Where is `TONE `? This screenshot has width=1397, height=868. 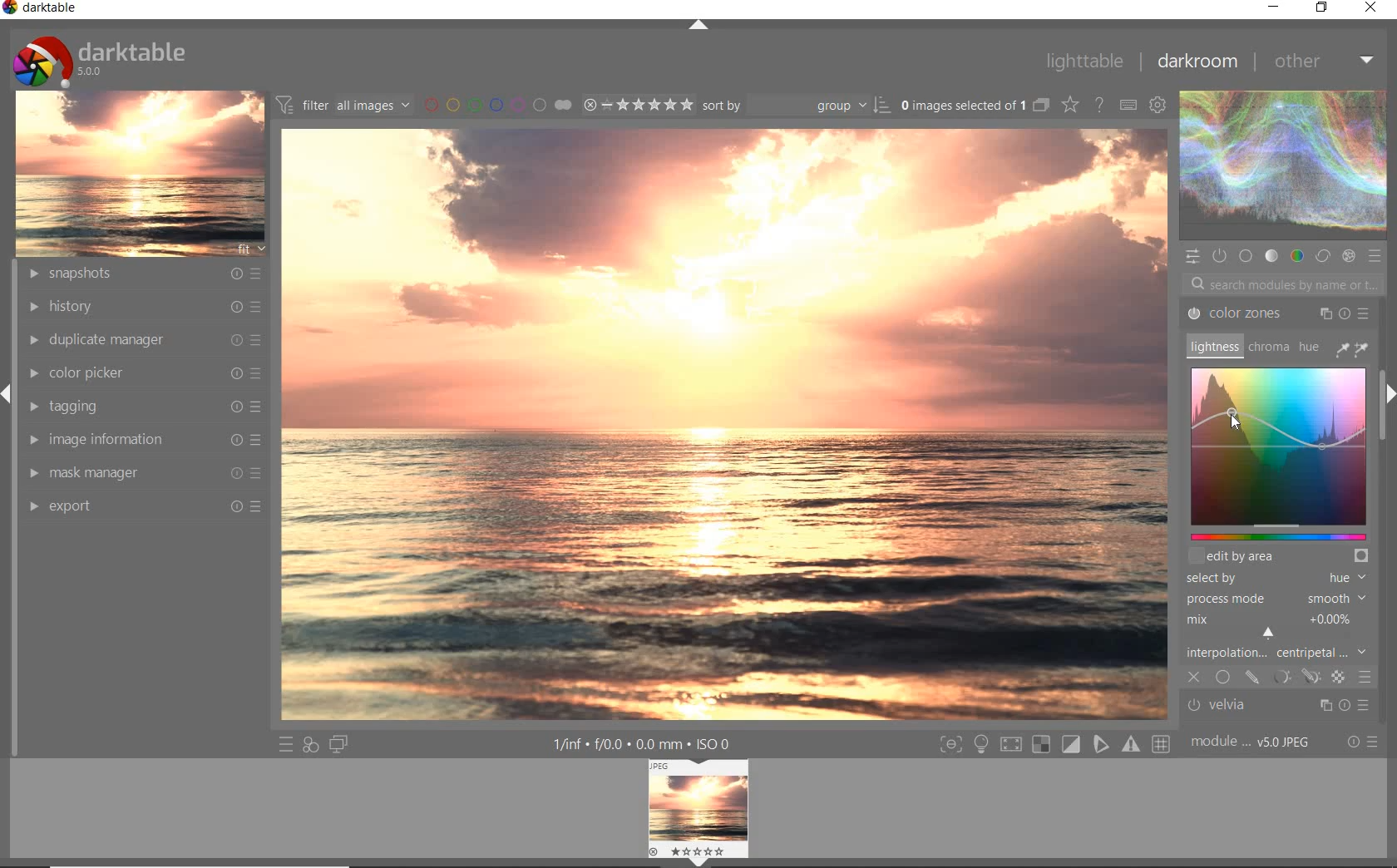 TONE  is located at coordinates (1271, 256).